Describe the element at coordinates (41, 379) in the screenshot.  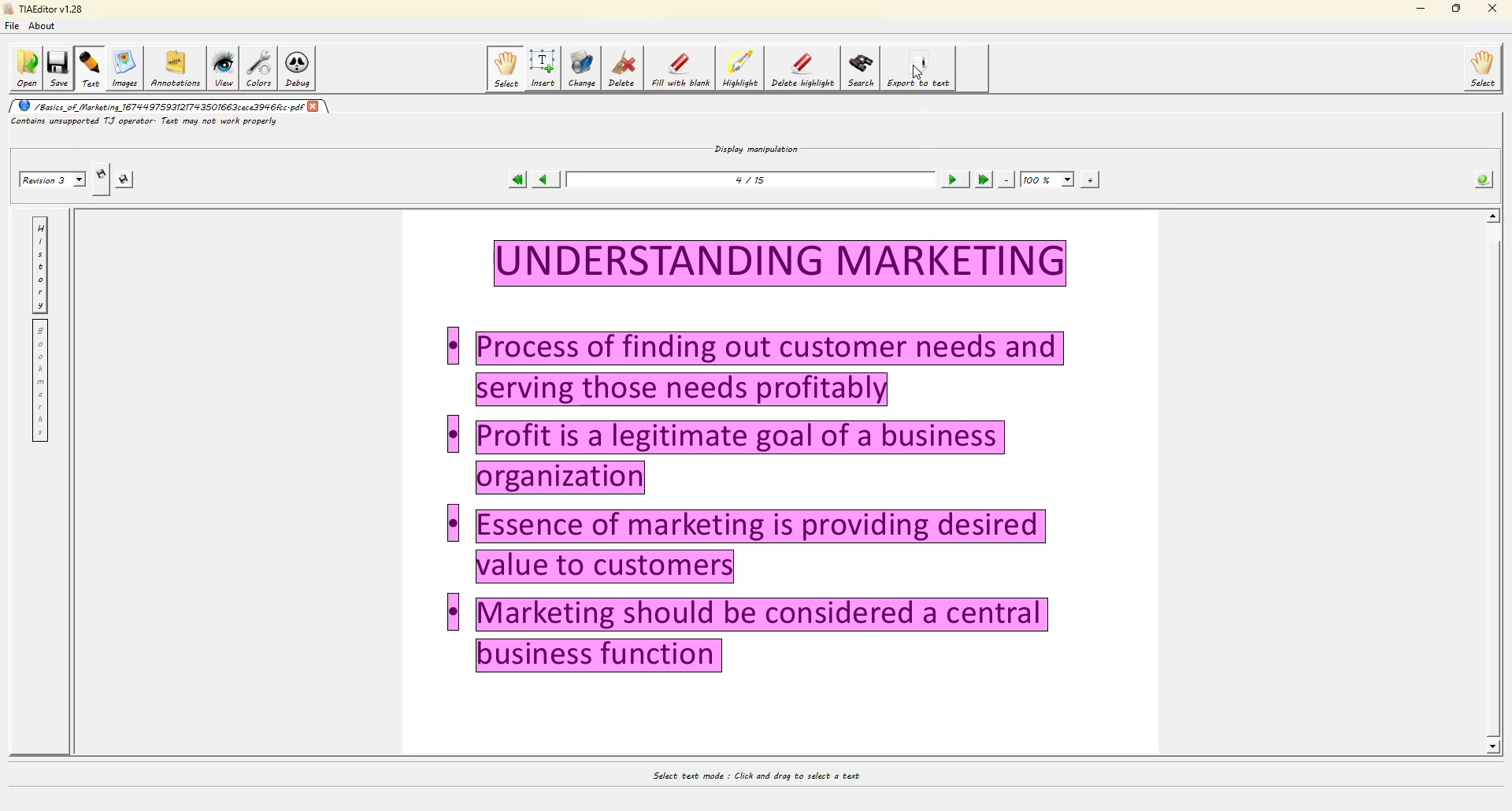
I see `bookmarks` at that location.